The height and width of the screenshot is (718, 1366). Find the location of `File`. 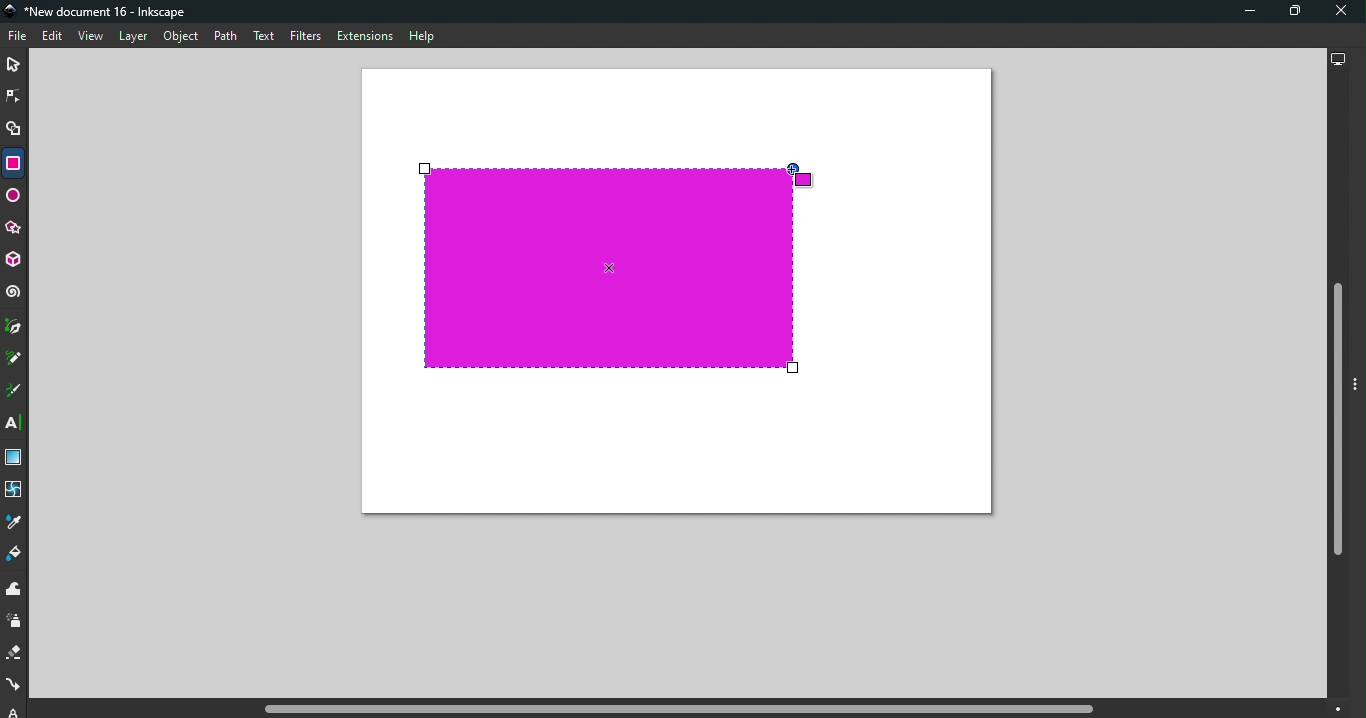

File is located at coordinates (20, 37).